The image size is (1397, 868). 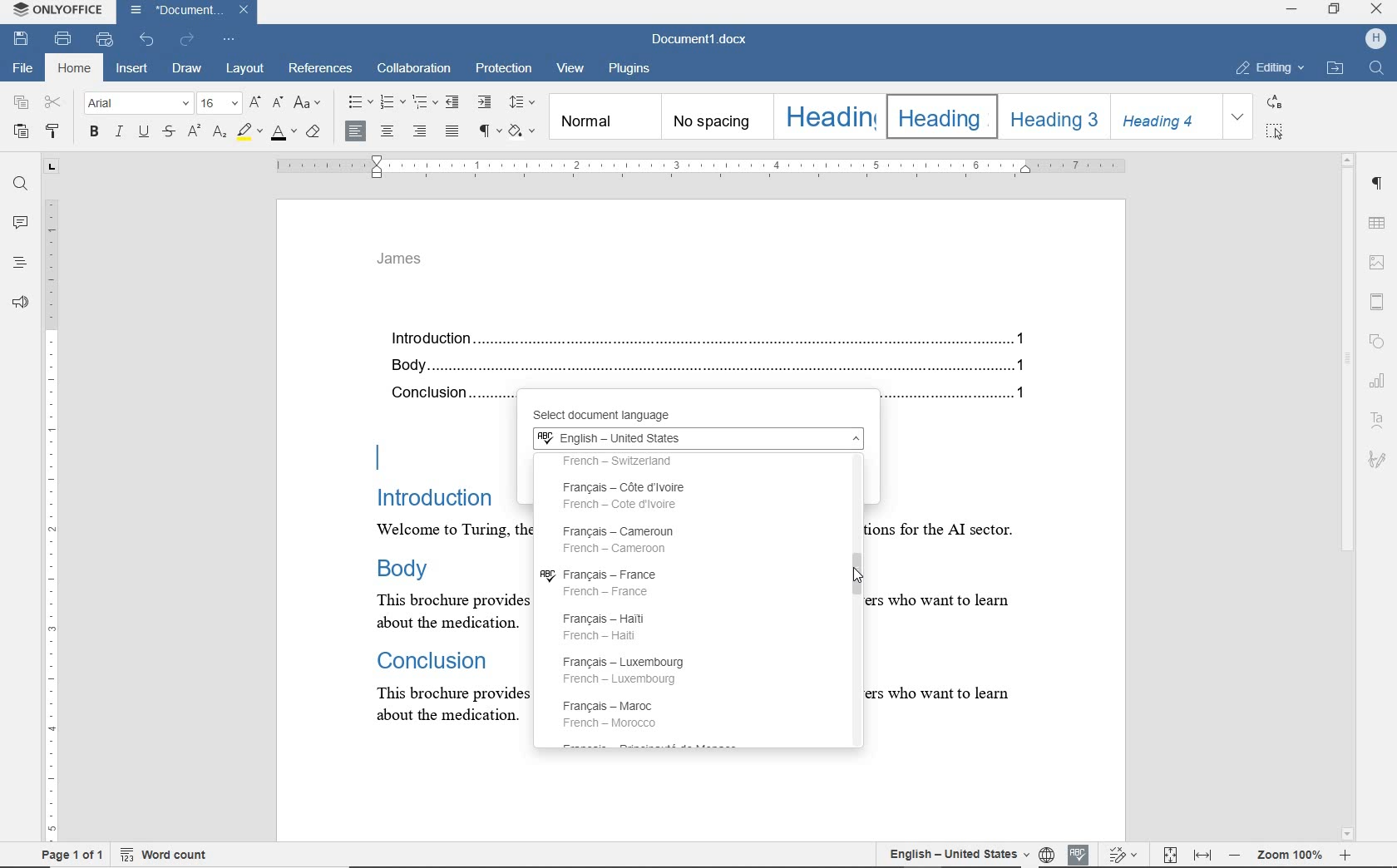 I want to click on justified, so click(x=453, y=132).